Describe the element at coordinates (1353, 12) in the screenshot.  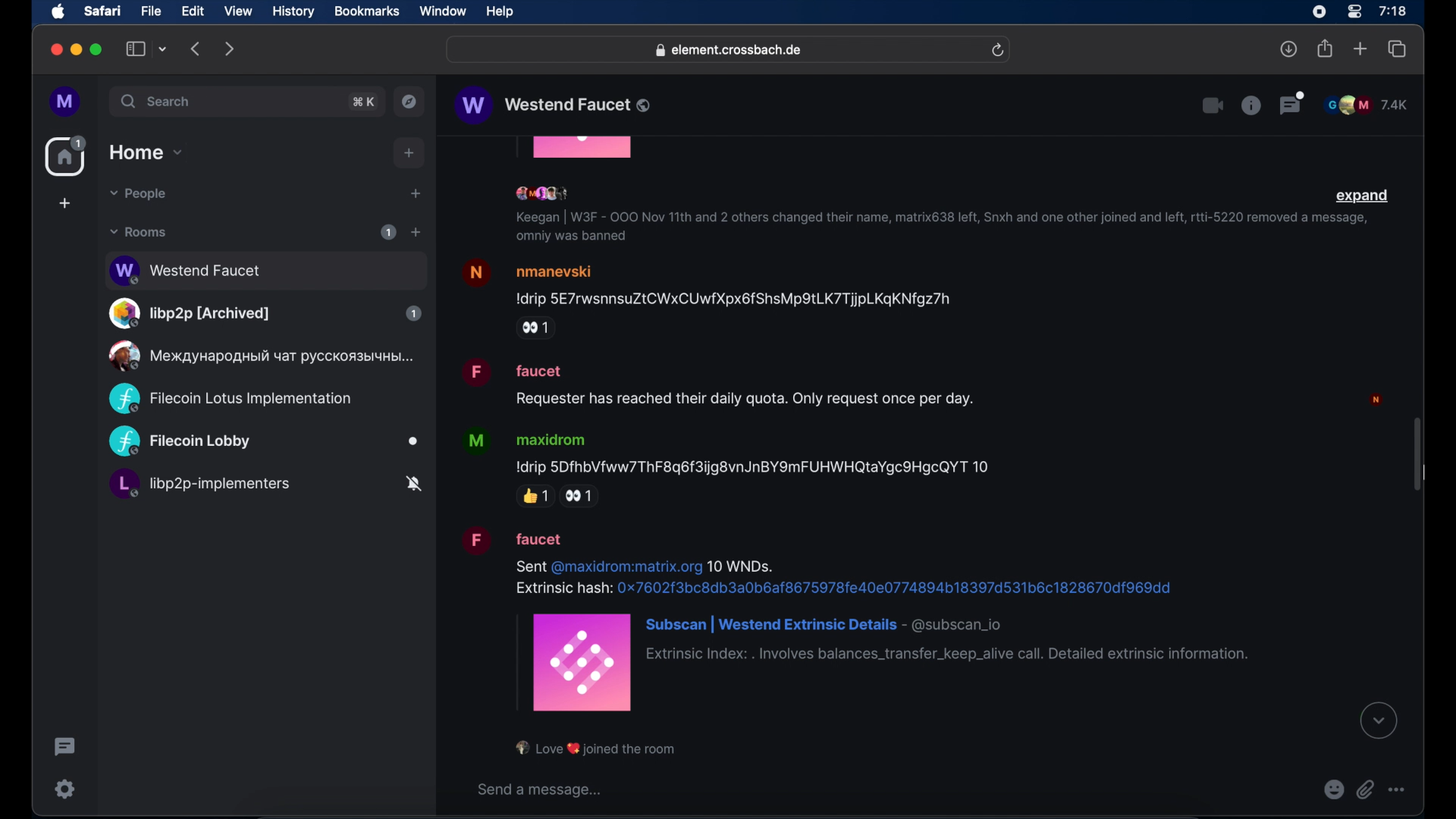
I see `control center` at that location.